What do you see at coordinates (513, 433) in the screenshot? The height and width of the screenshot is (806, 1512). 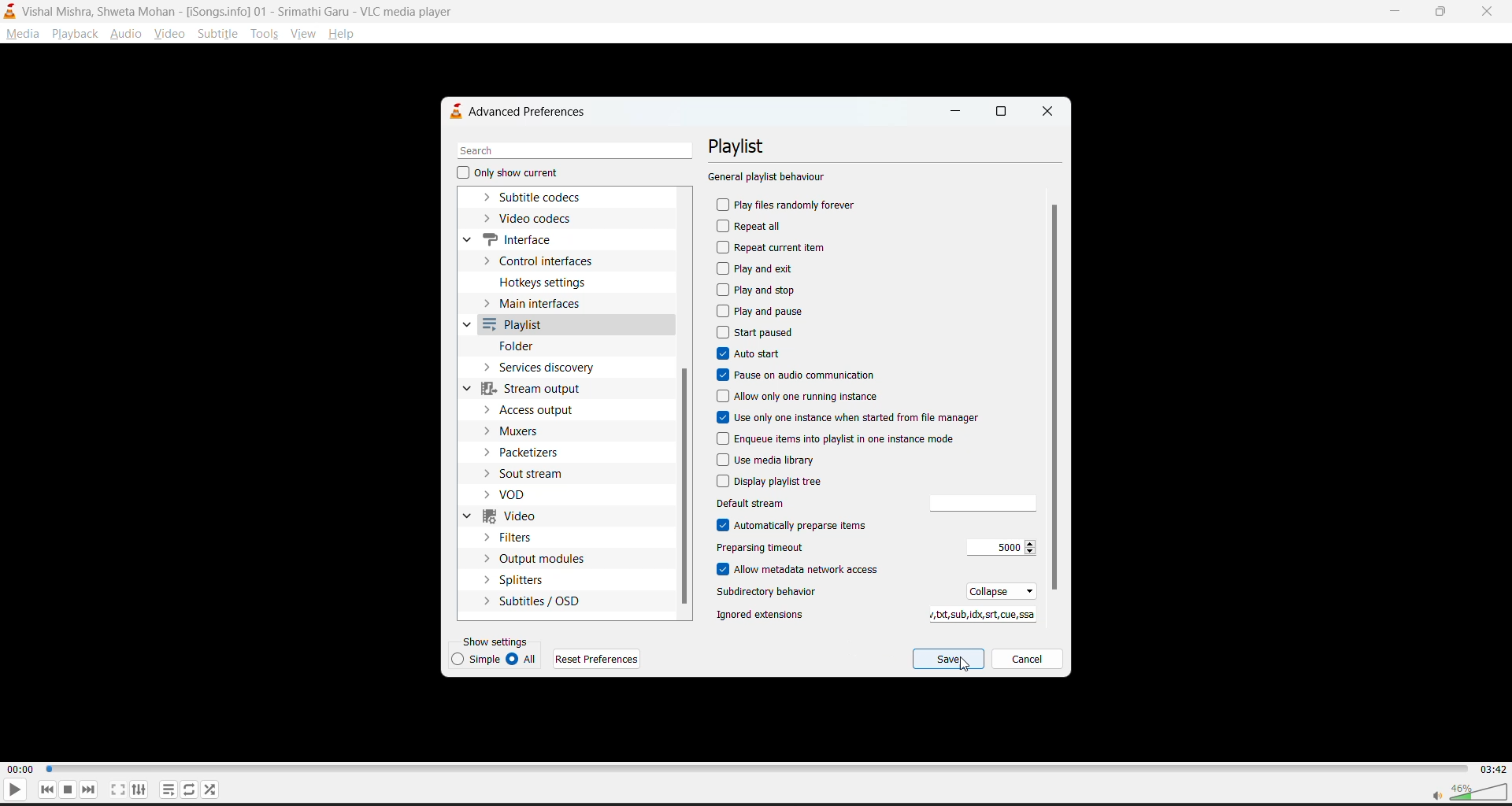 I see `muxers` at bounding box center [513, 433].